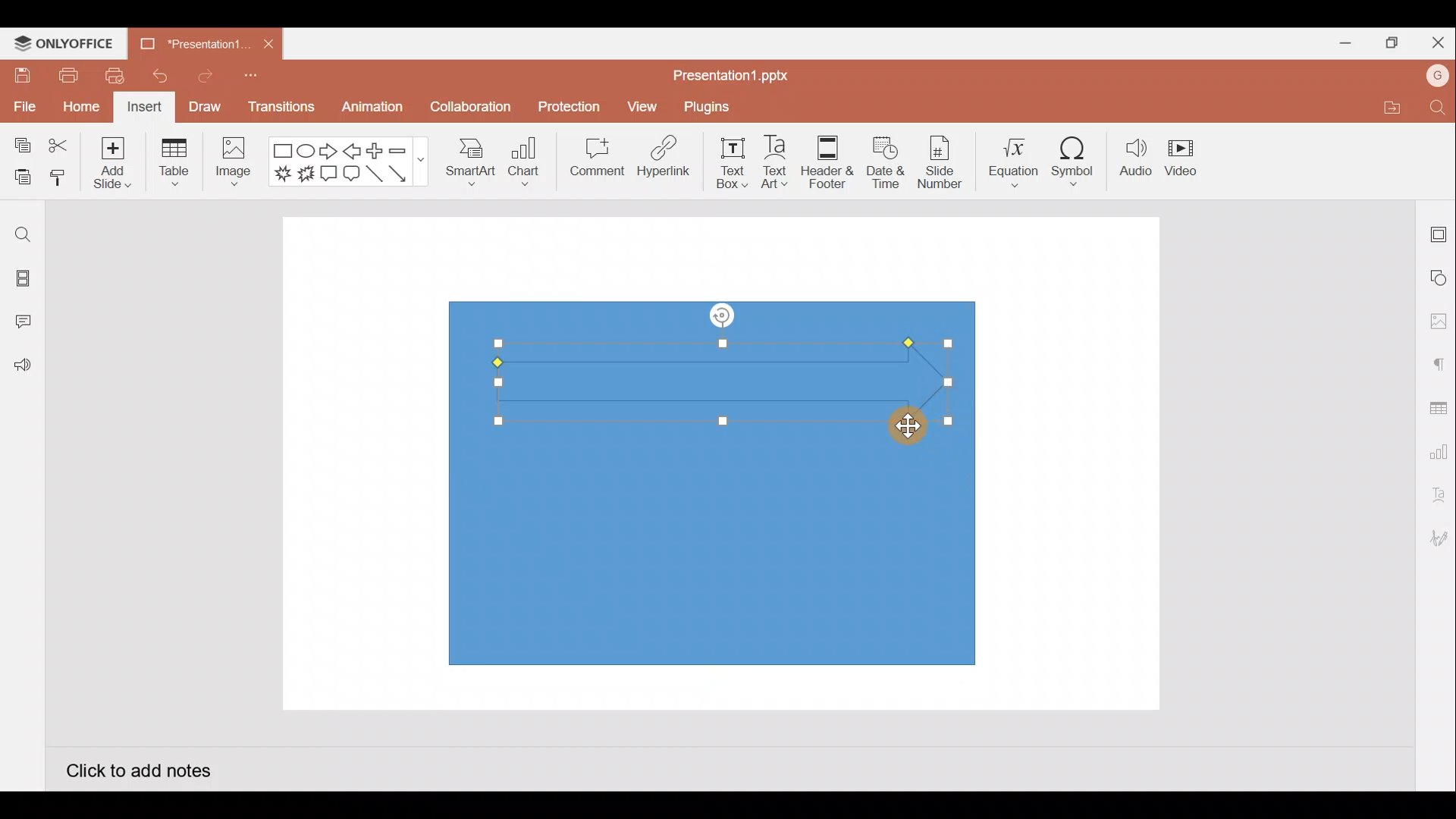  Describe the element at coordinates (138, 769) in the screenshot. I see `Click to add notes` at that location.